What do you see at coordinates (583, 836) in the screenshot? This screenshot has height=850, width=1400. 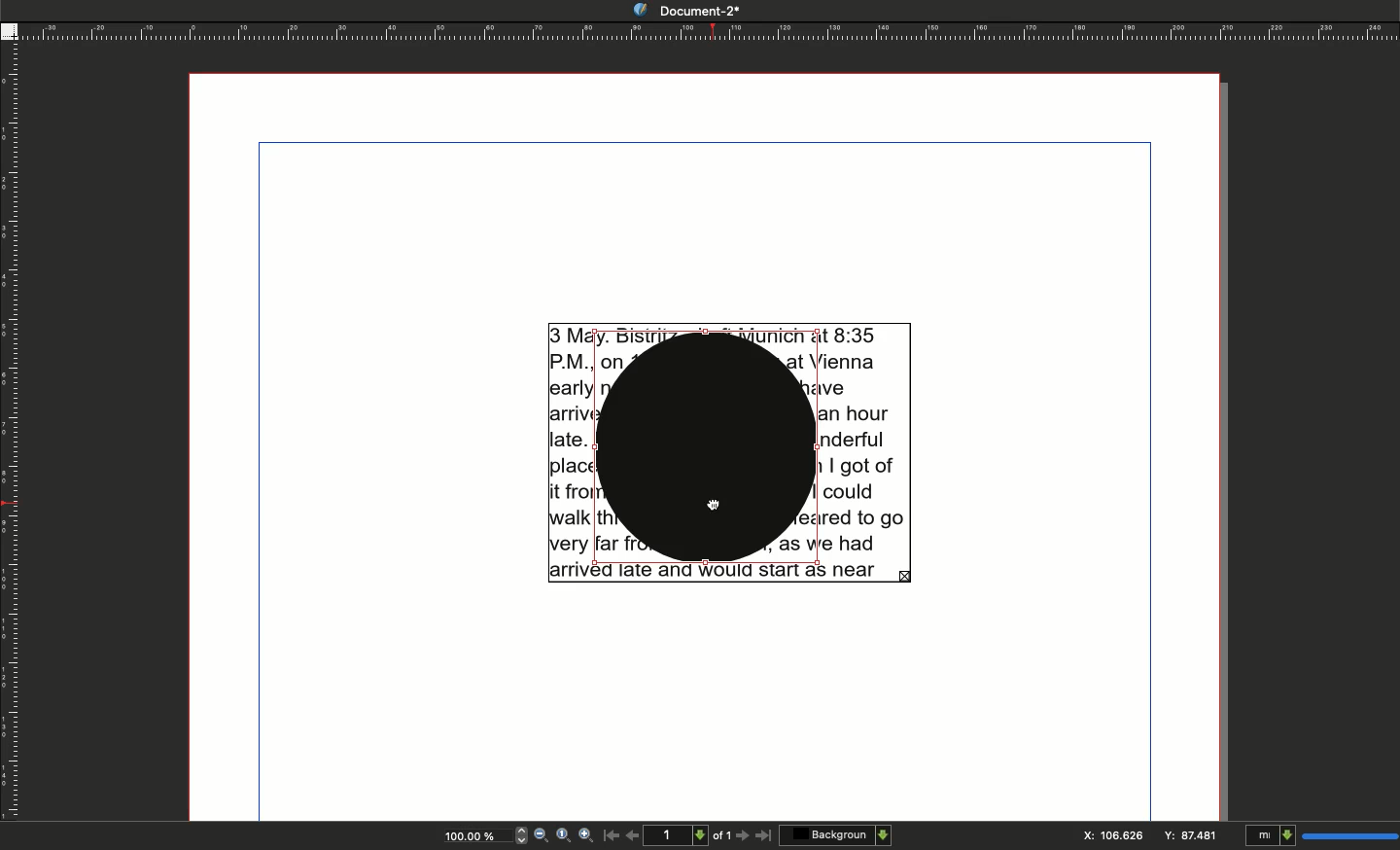 I see `Zoom in` at bounding box center [583, 836].